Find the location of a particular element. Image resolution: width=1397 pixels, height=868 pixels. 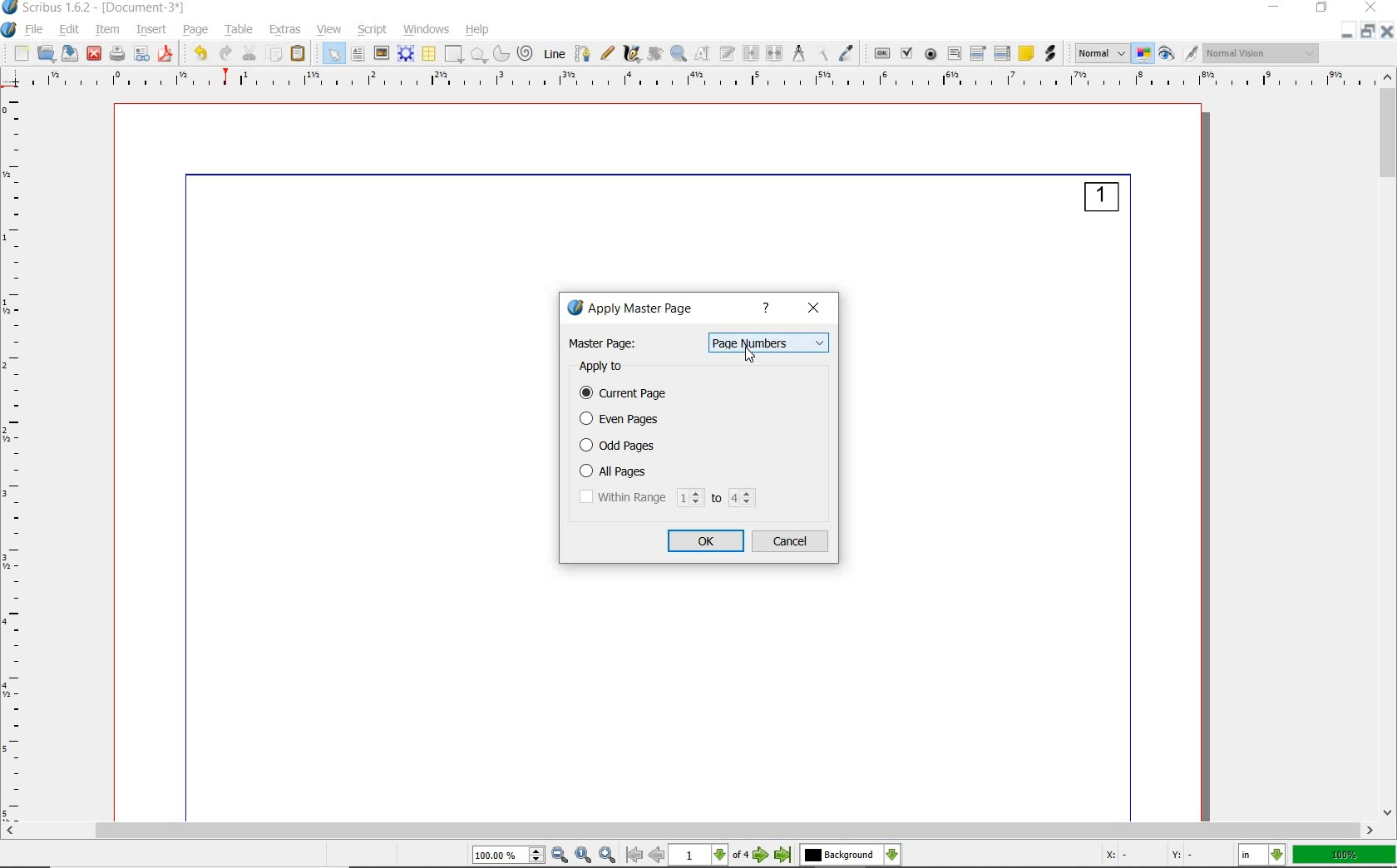

redo is located at coordinates (225, 54).